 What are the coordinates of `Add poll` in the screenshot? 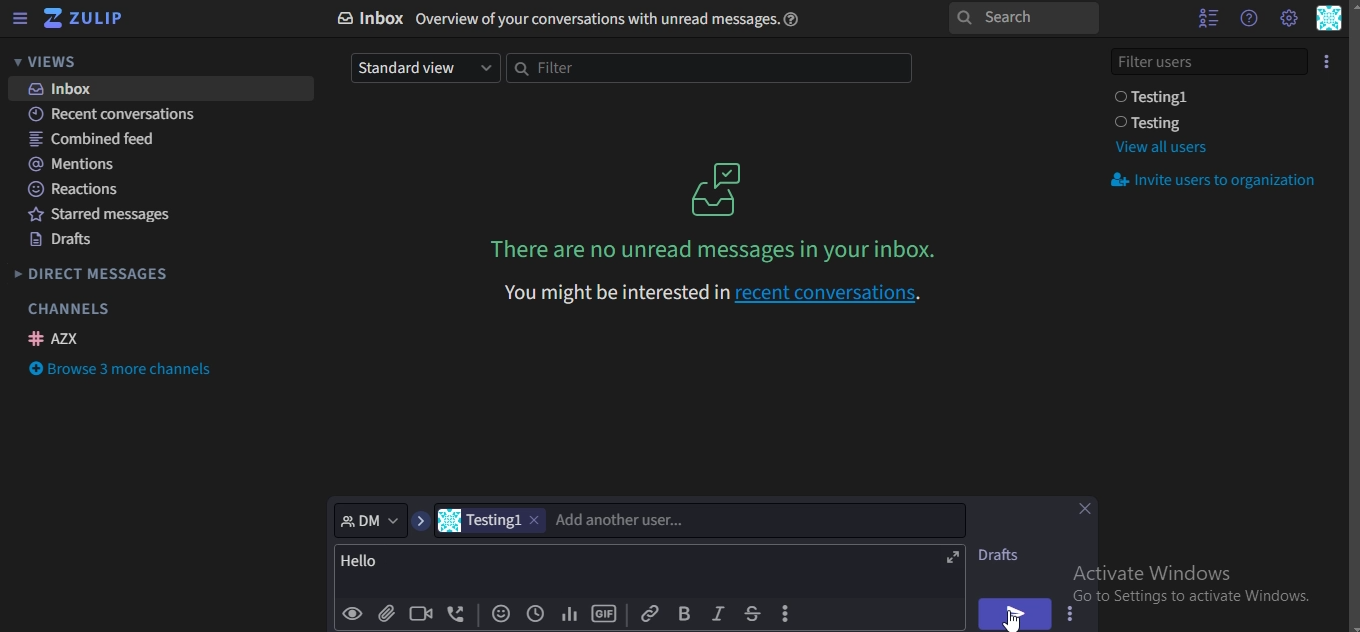 It's located at (569, 615).